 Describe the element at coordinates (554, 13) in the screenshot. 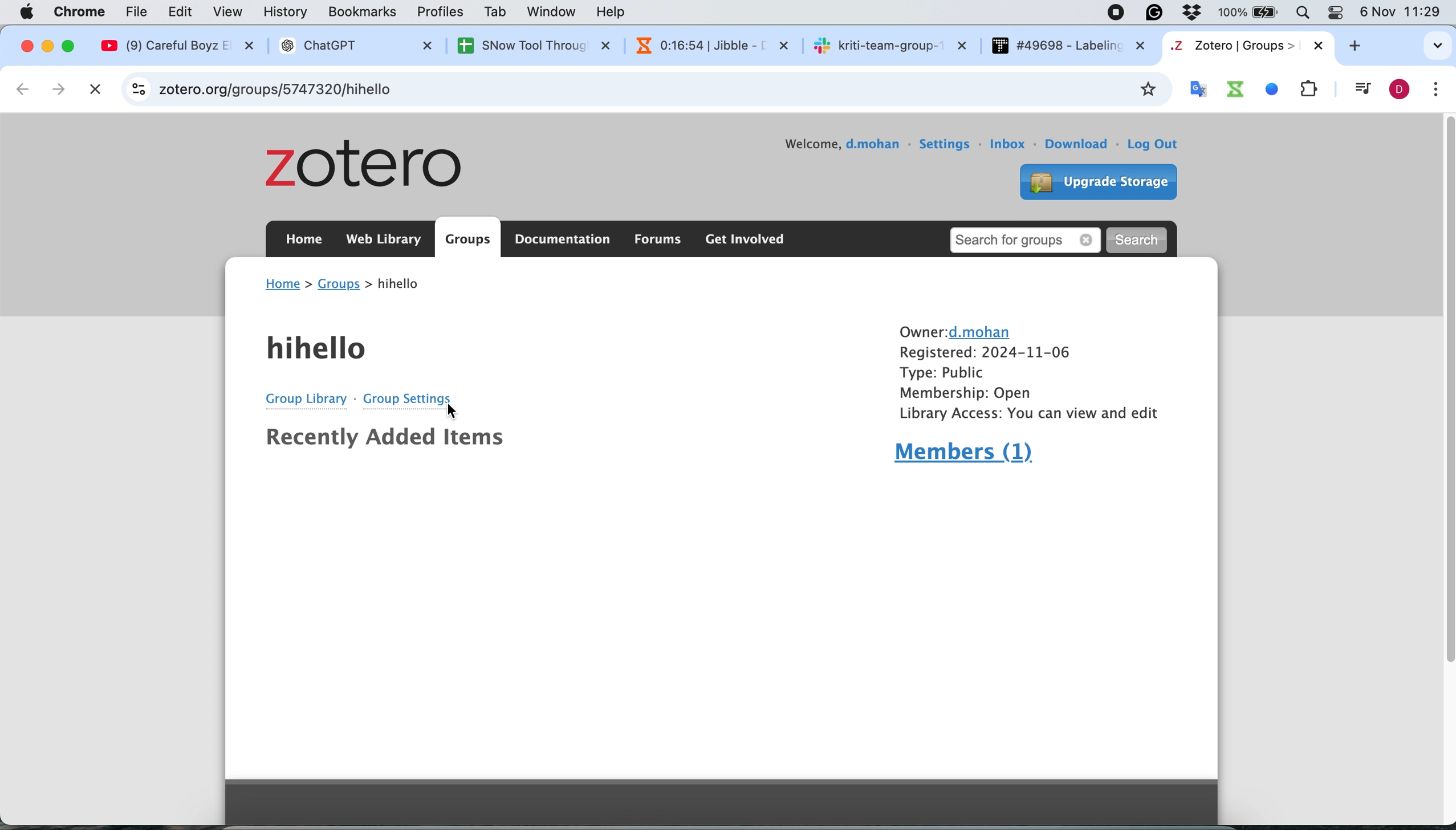

I see `window` at that location.